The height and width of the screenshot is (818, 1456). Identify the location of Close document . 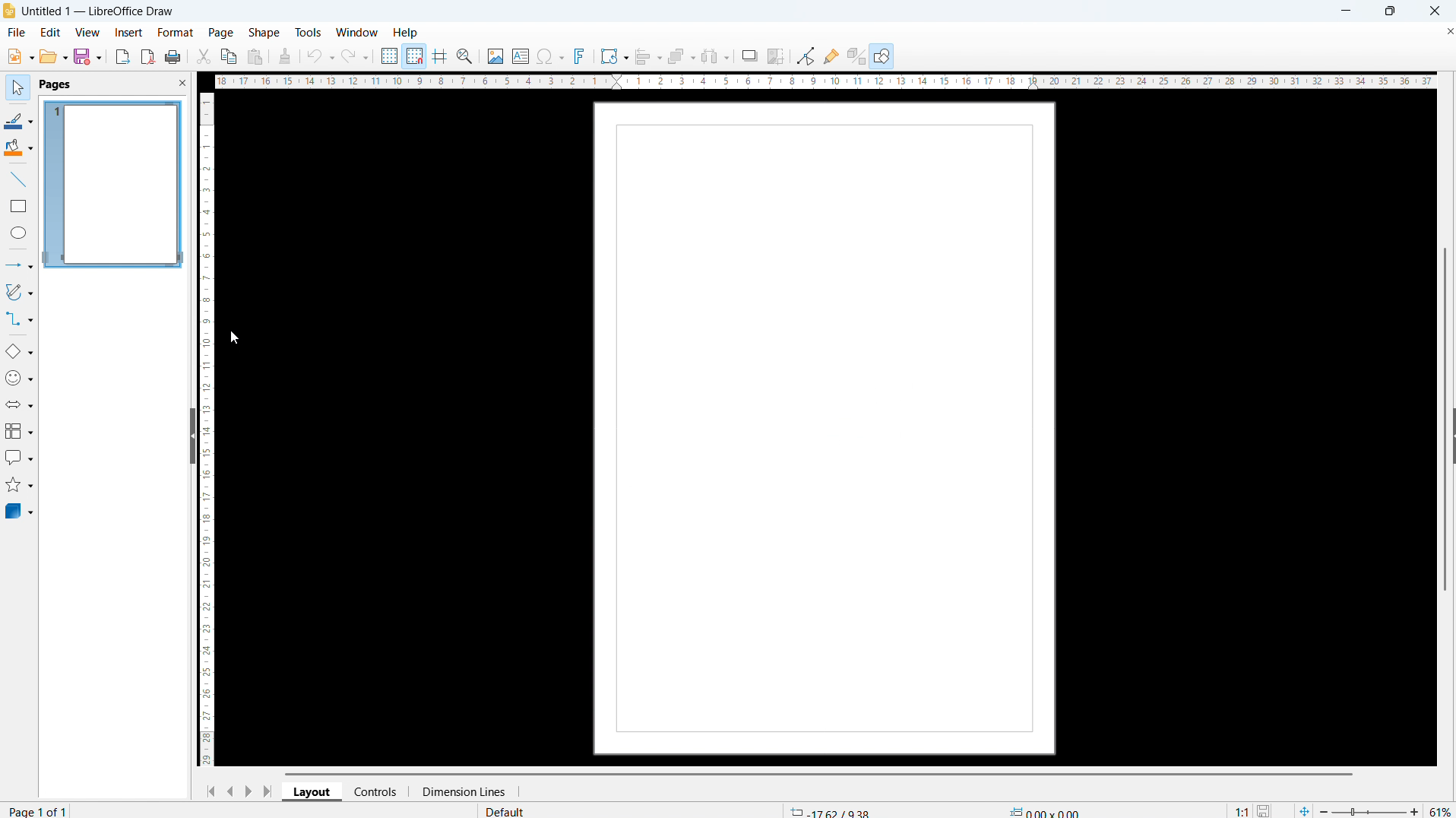
(1447, 30).